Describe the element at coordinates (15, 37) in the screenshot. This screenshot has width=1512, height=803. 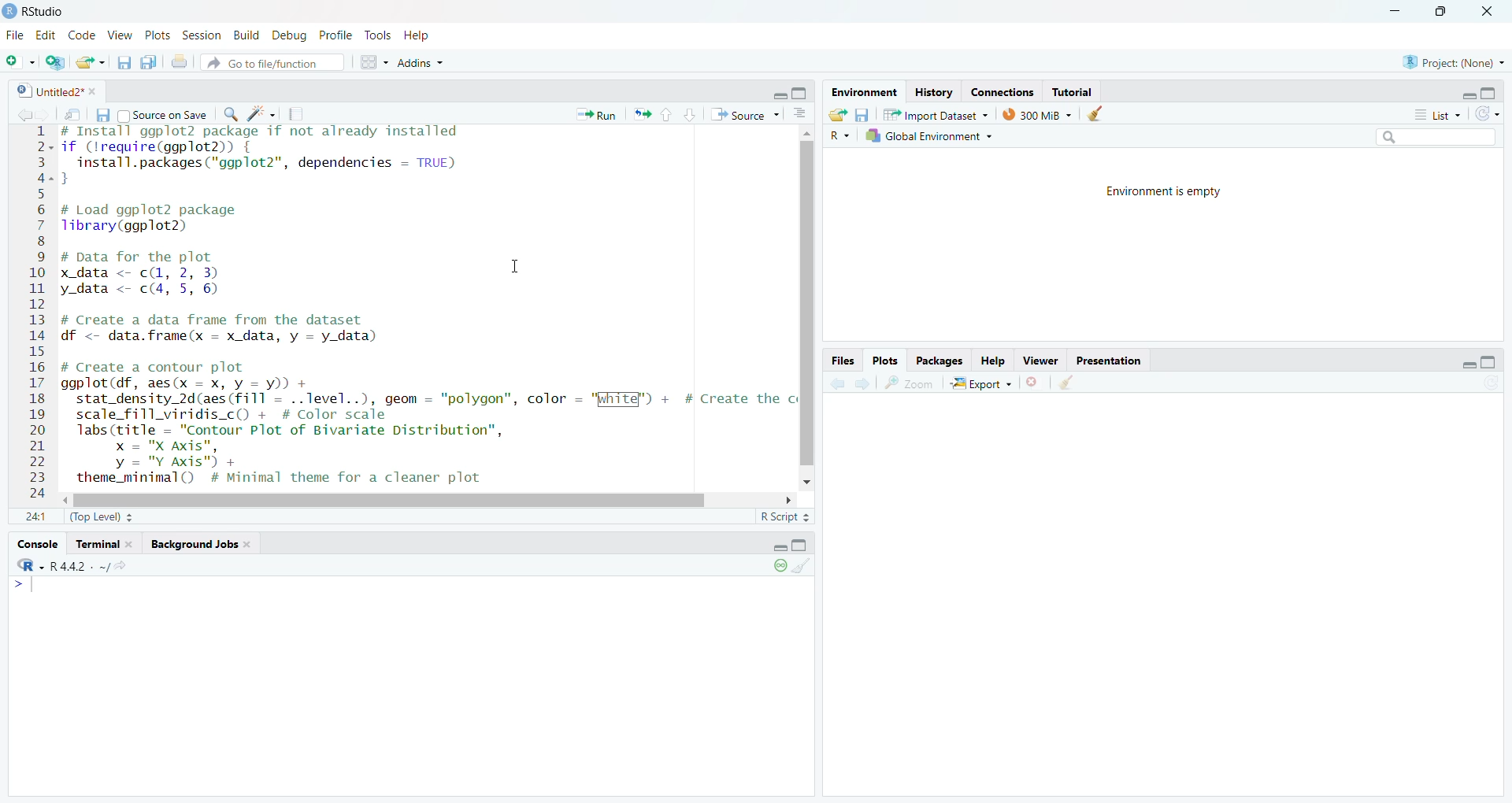
I see `File` at that location.